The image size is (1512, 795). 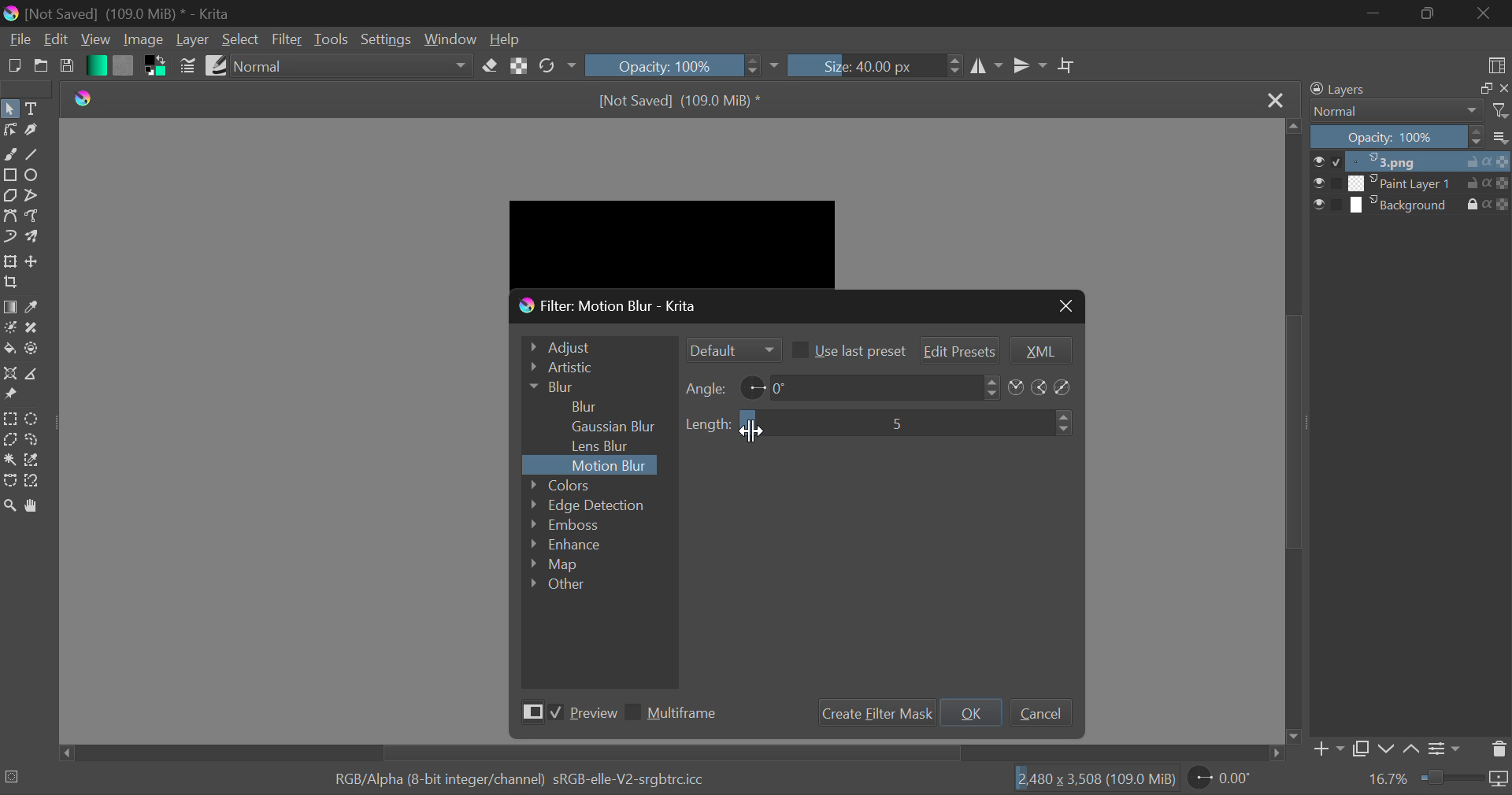 I want to click on Edit Shapes, so click(x=9, y=131).